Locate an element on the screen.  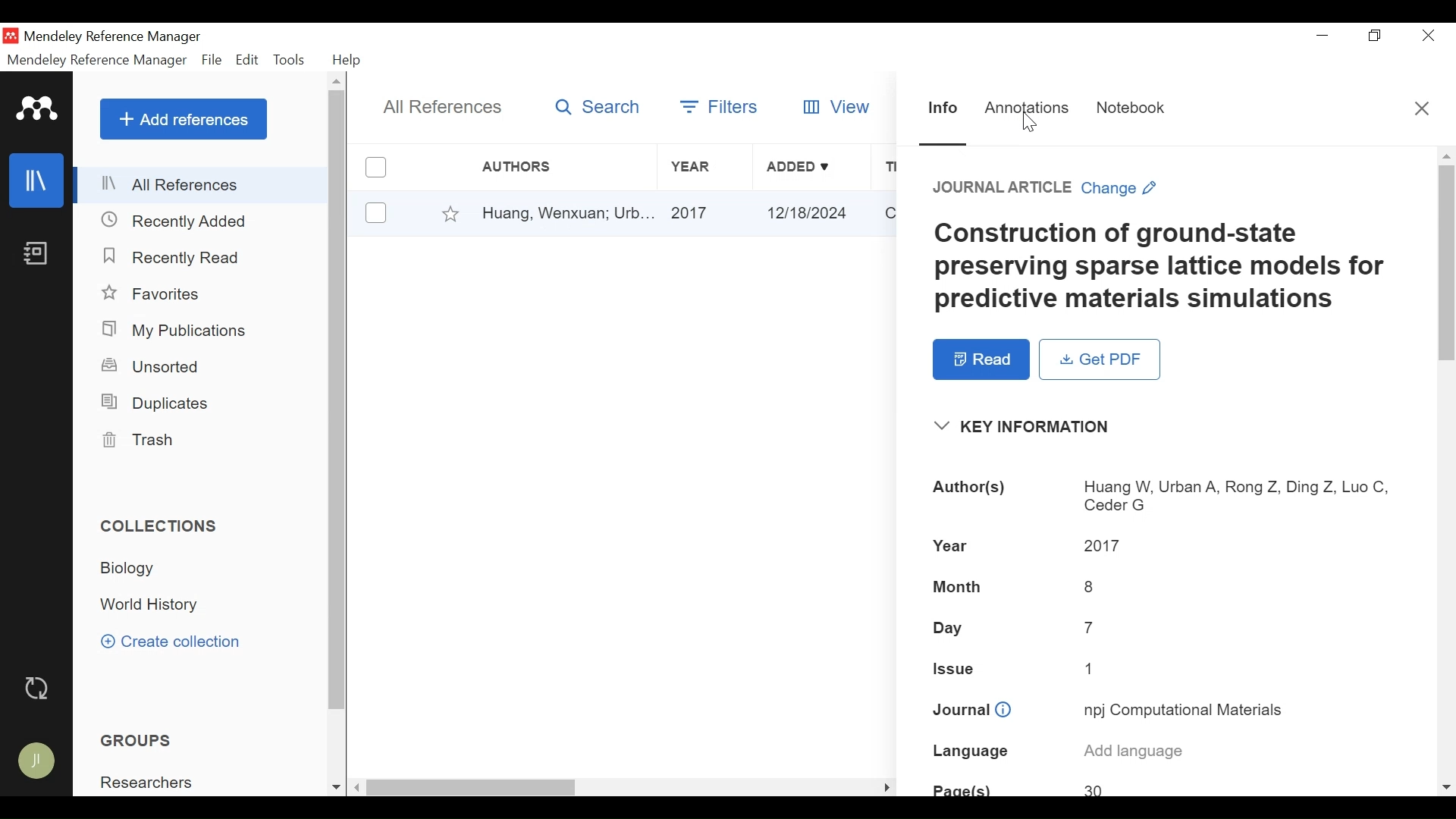
Huang, Wenxuan; Urb... is located at coordinates (566, 213).